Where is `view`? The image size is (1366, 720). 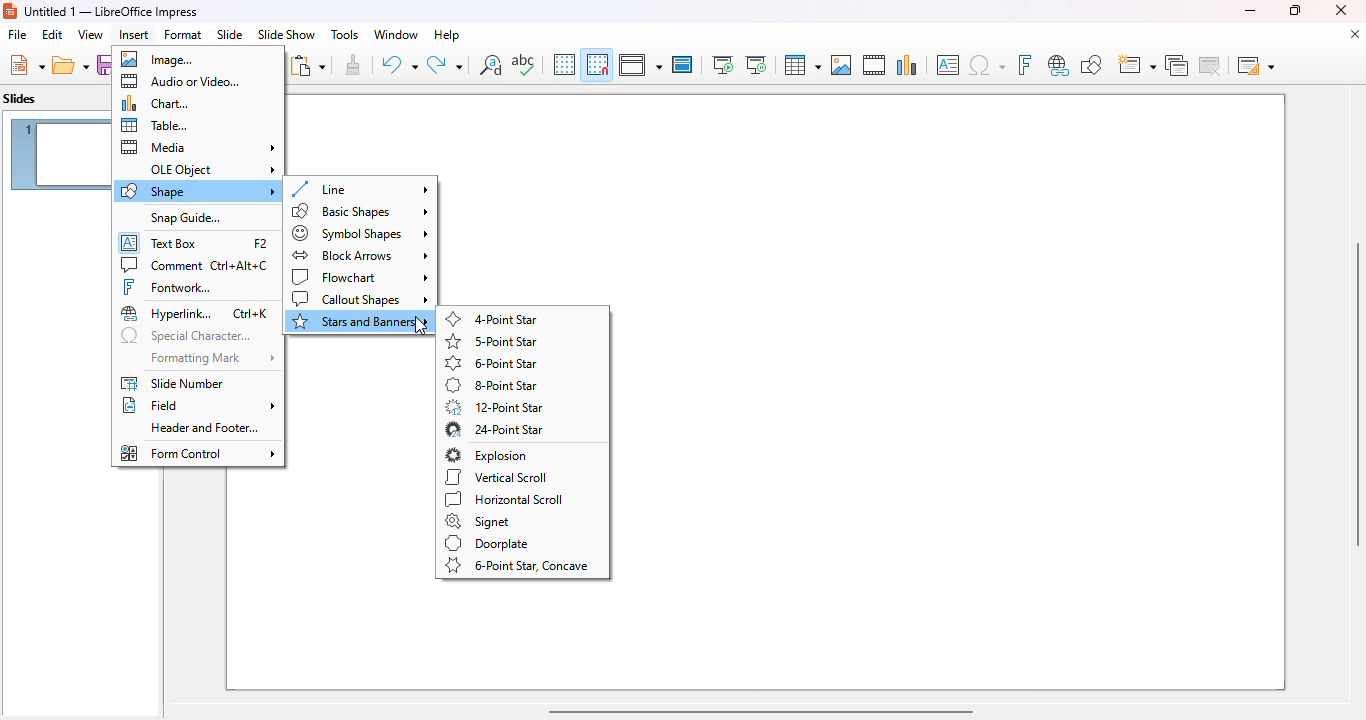 view is located at coordinates (90, 34).